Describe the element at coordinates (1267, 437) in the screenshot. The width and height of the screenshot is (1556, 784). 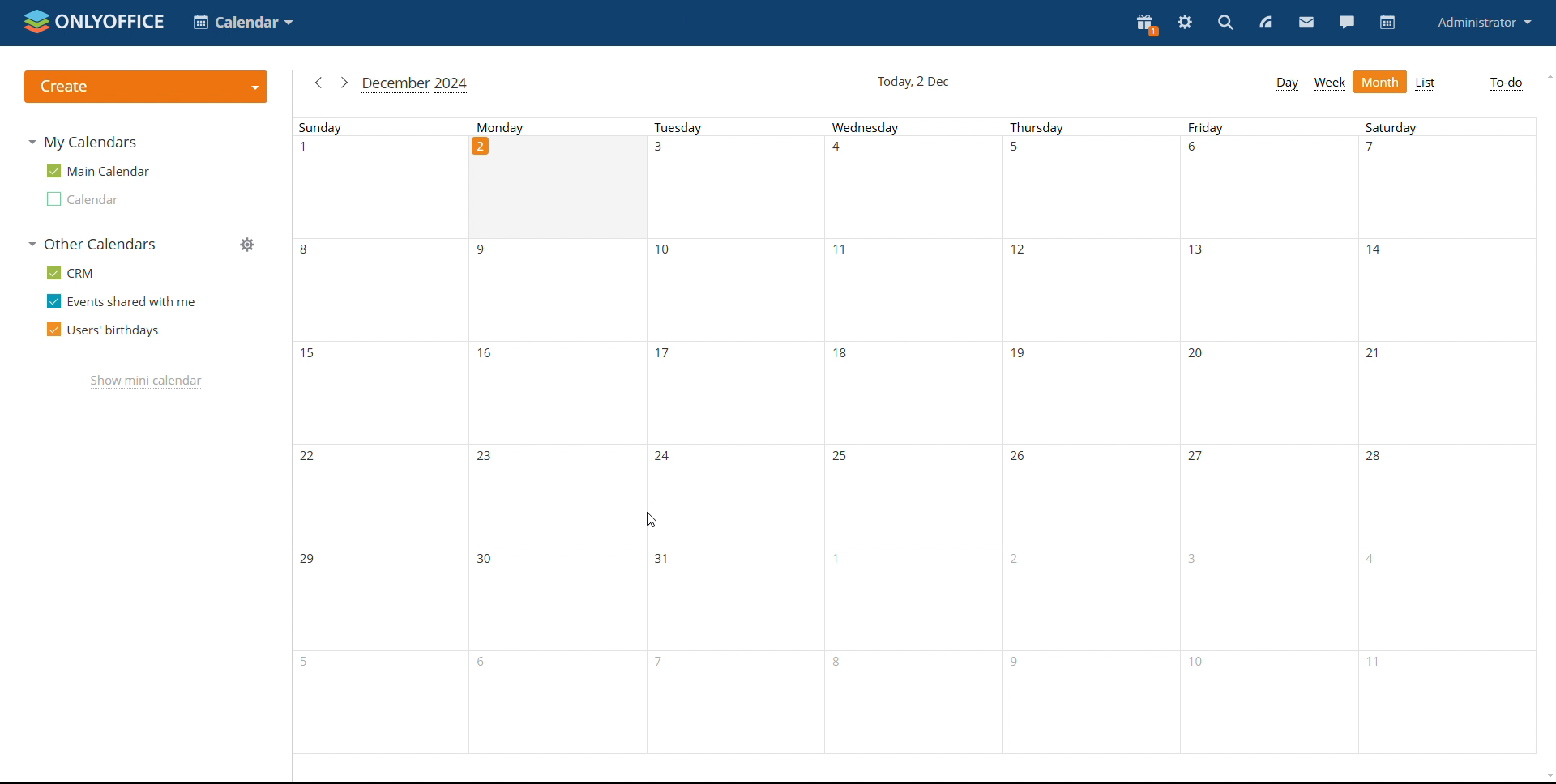
I see `` at that location.